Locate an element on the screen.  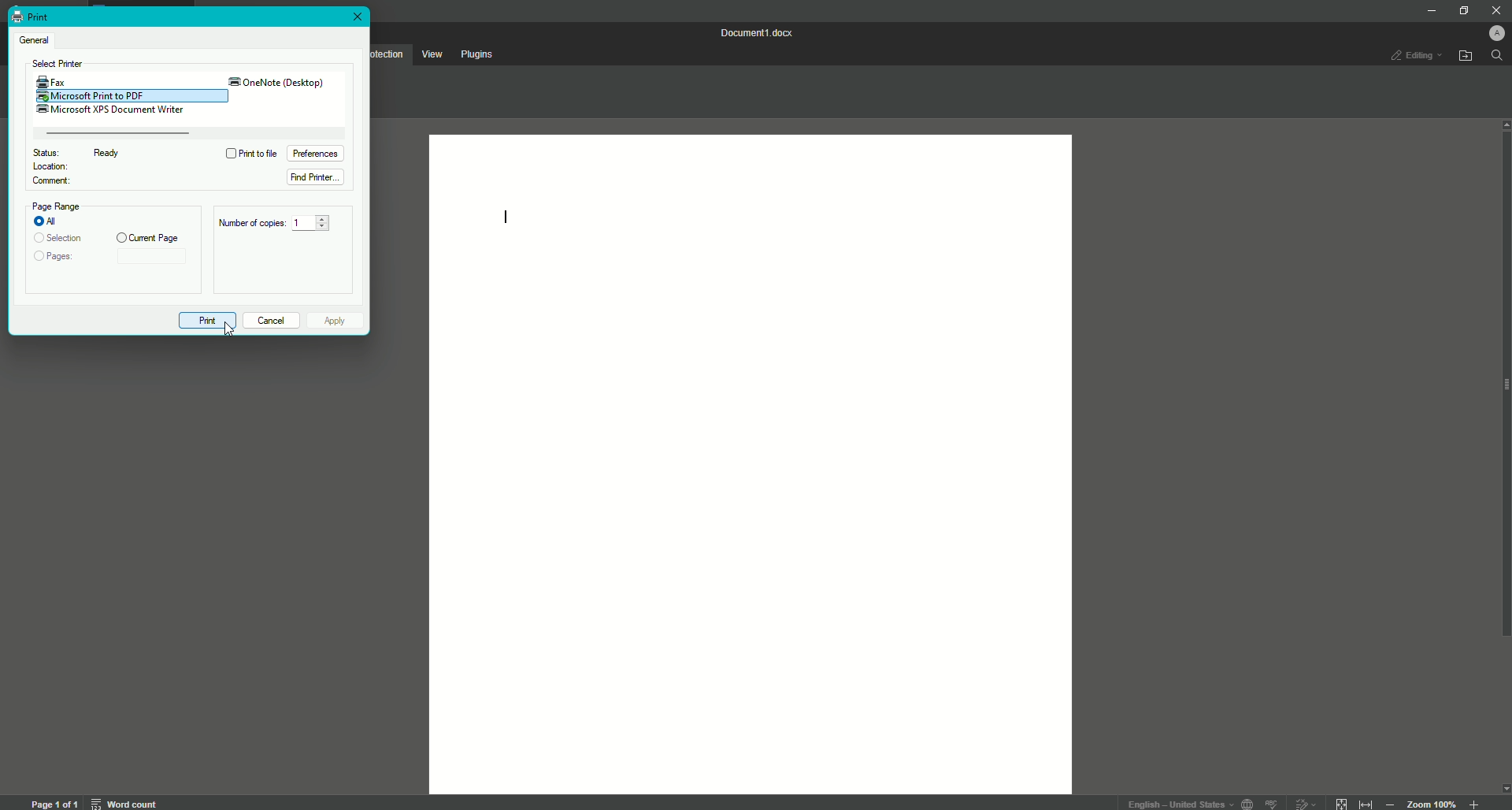
Restore is located at coordinates (1458, 10).